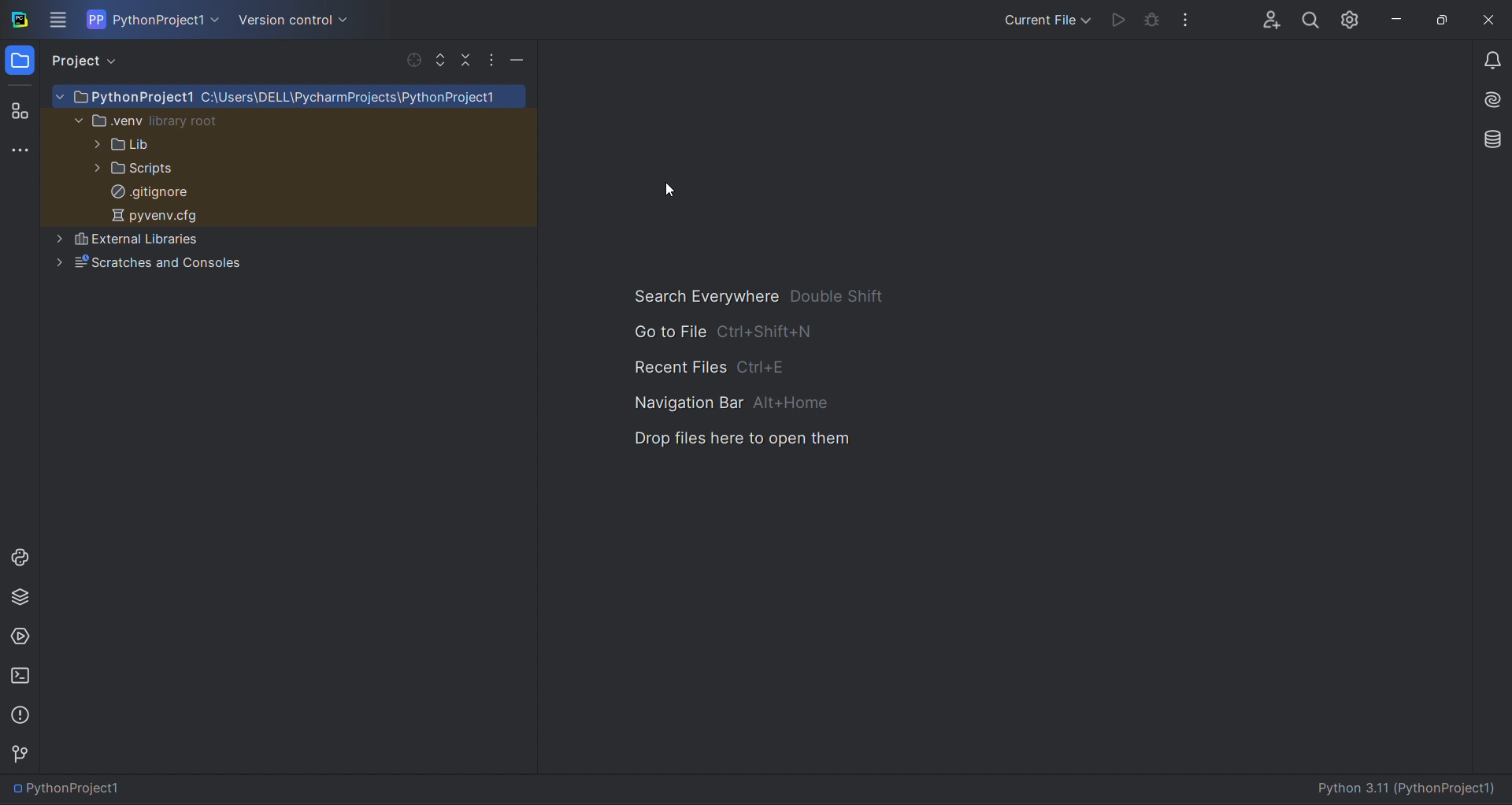  Describe the element at coordinates (1151, 19) in the screenshot. I see `debug` at that location.